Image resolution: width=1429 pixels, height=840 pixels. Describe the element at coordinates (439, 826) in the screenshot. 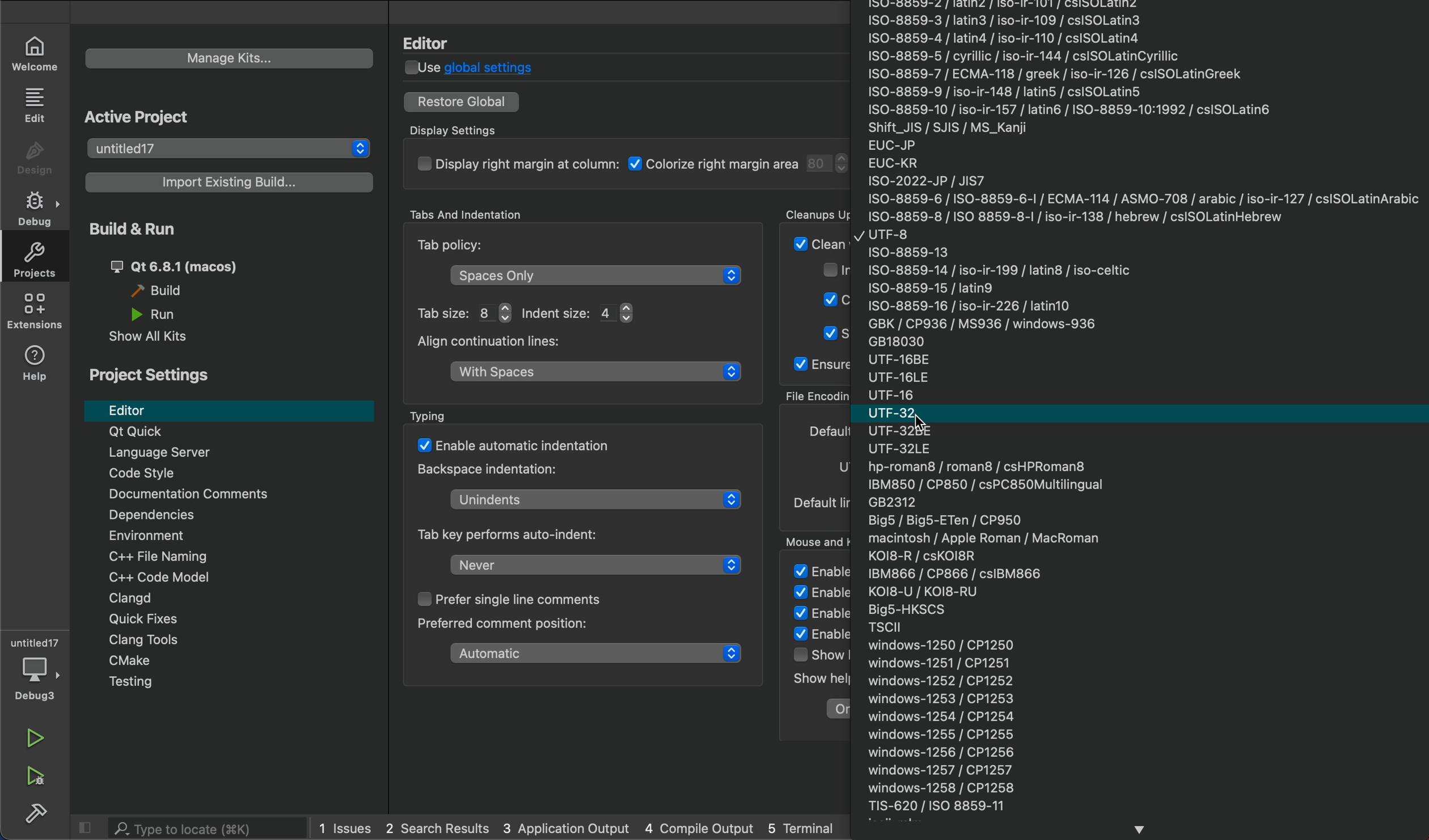

I see `search result` at that location.